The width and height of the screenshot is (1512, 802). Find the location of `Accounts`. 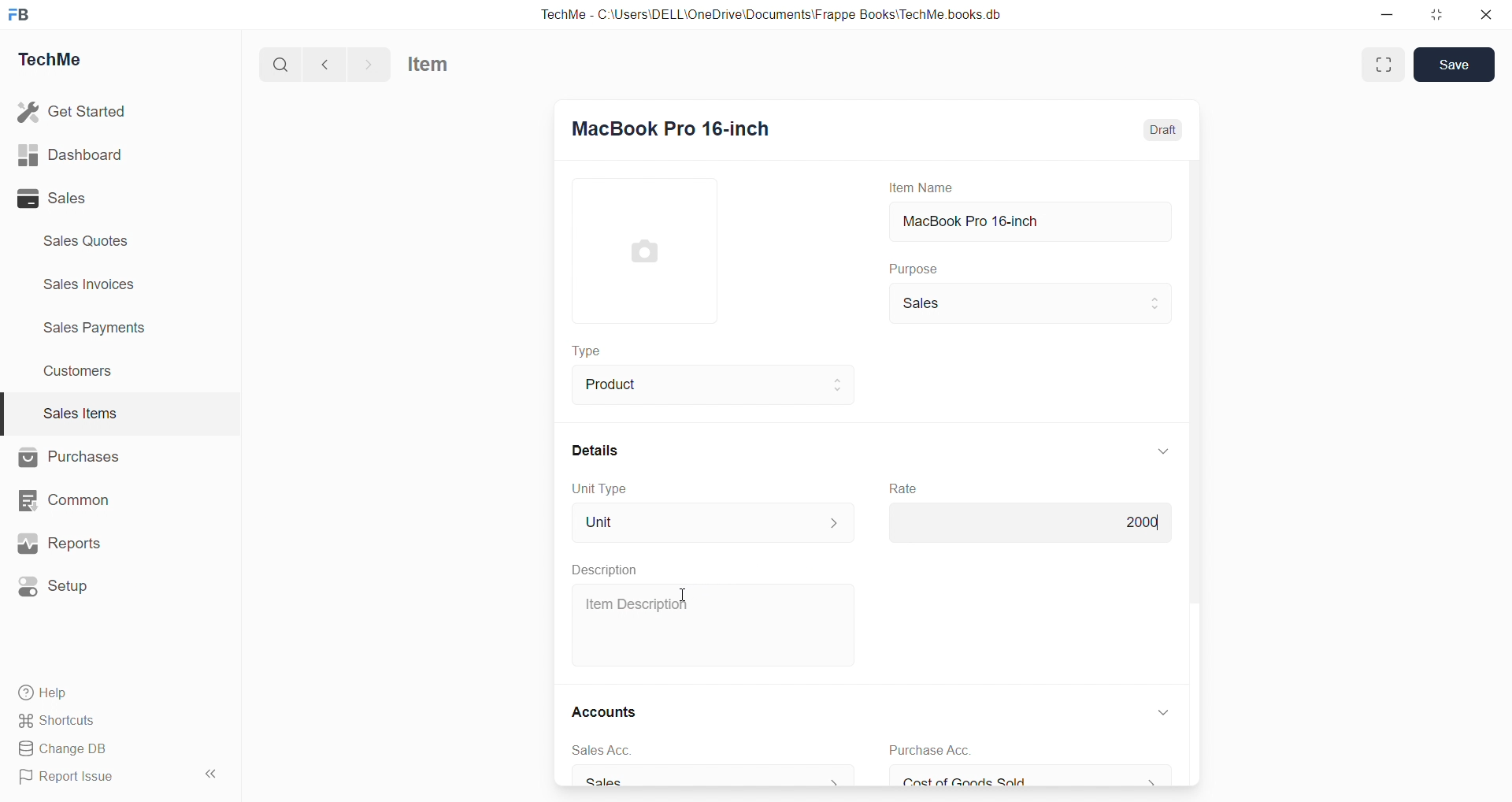

Accounts is located at coordinates (603, 711).